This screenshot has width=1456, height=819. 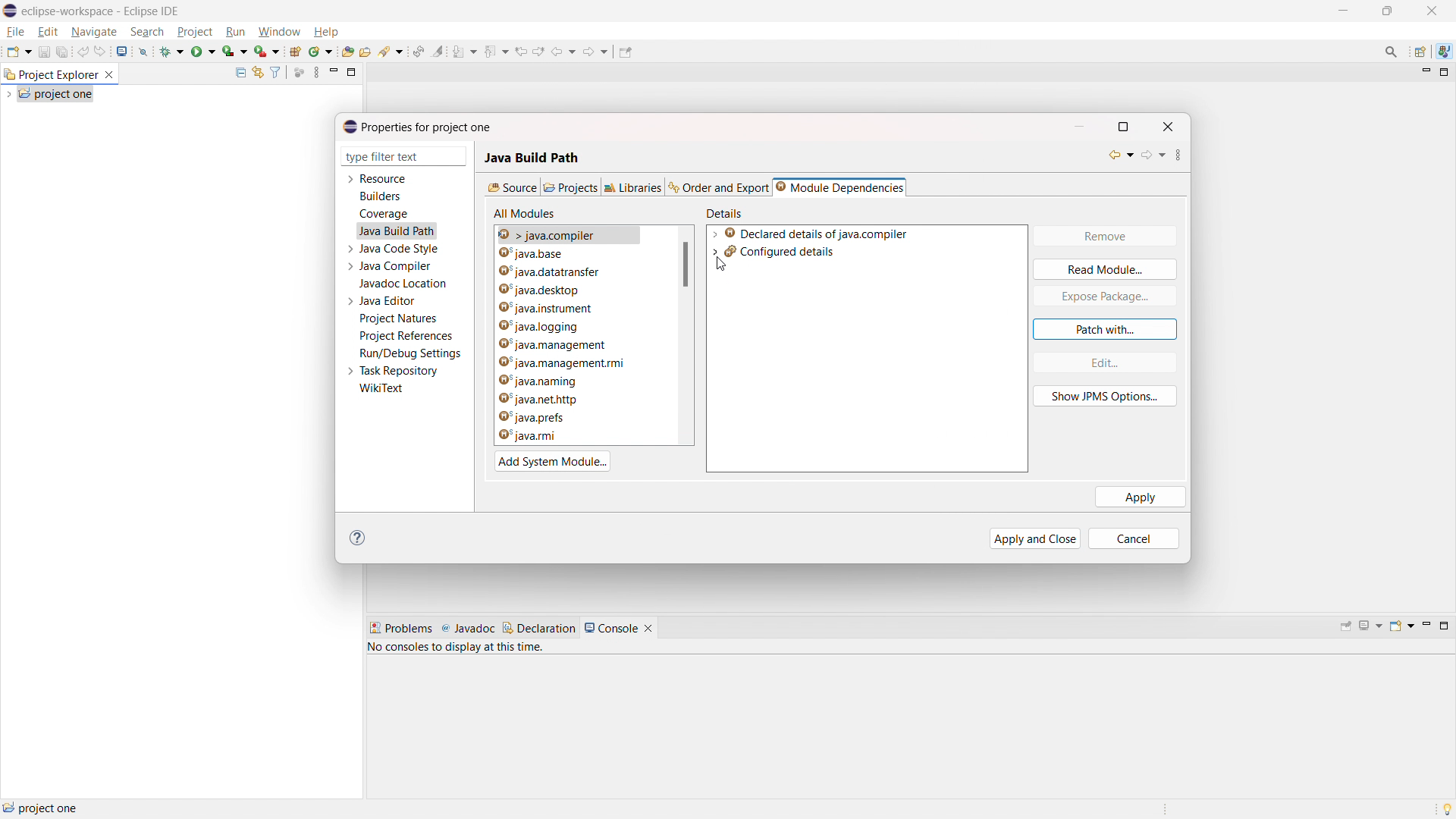 I want to click on java, so click(x=1444, y=52).